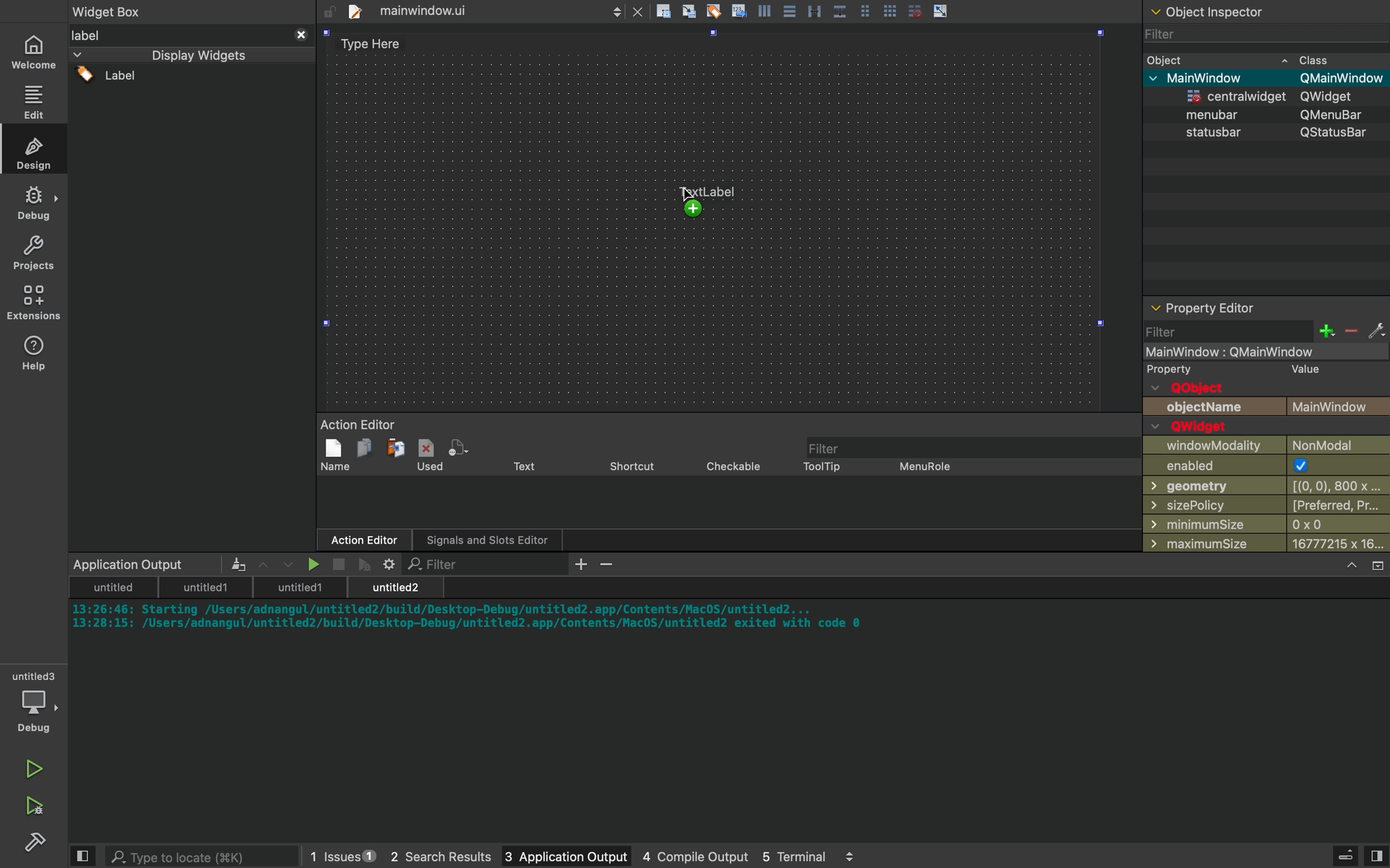 The height and width of the screenshot is (868, 1390). I want to click on 2 search results, so click(428, 857).